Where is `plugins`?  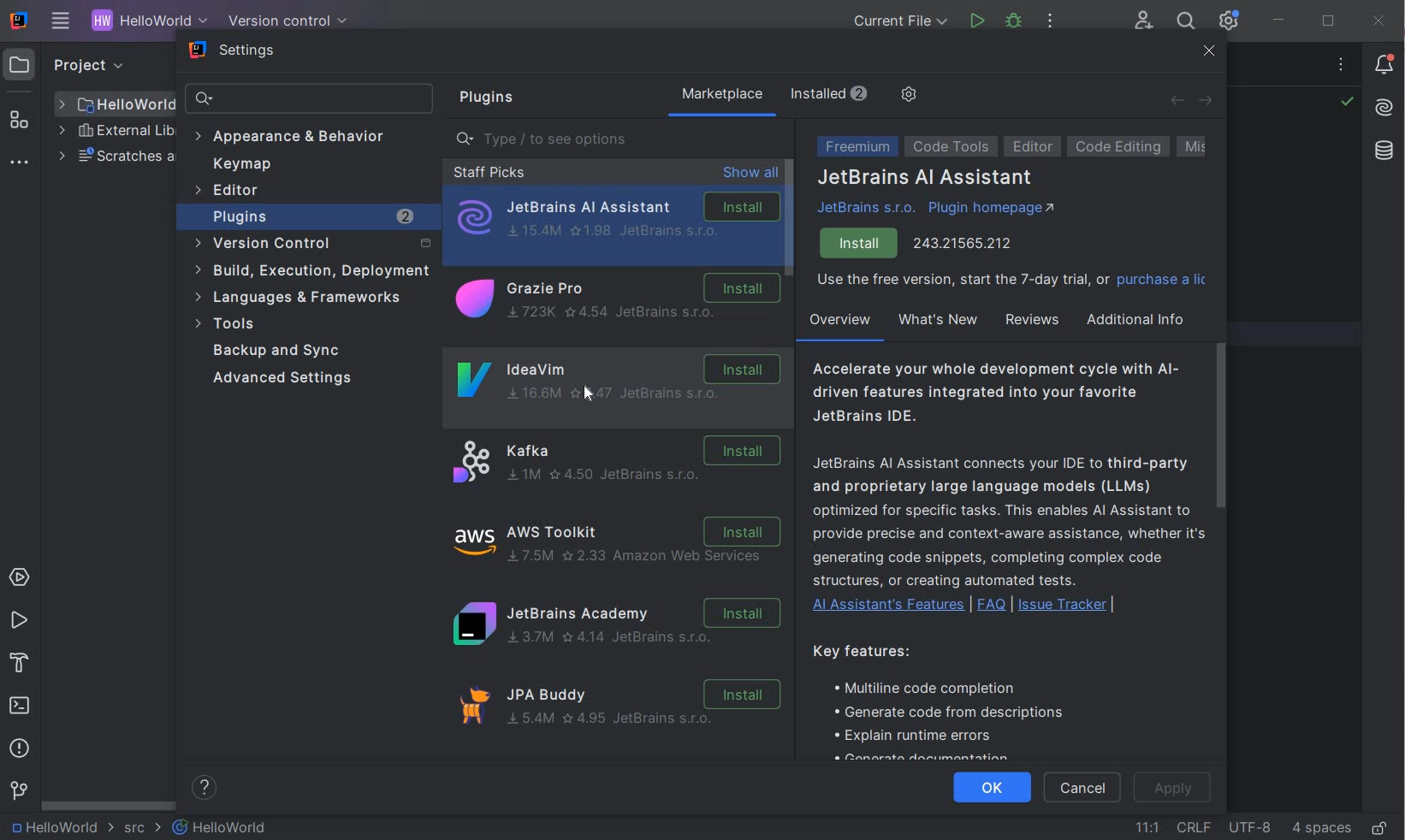 plugins is located at coordinates (483, 98).